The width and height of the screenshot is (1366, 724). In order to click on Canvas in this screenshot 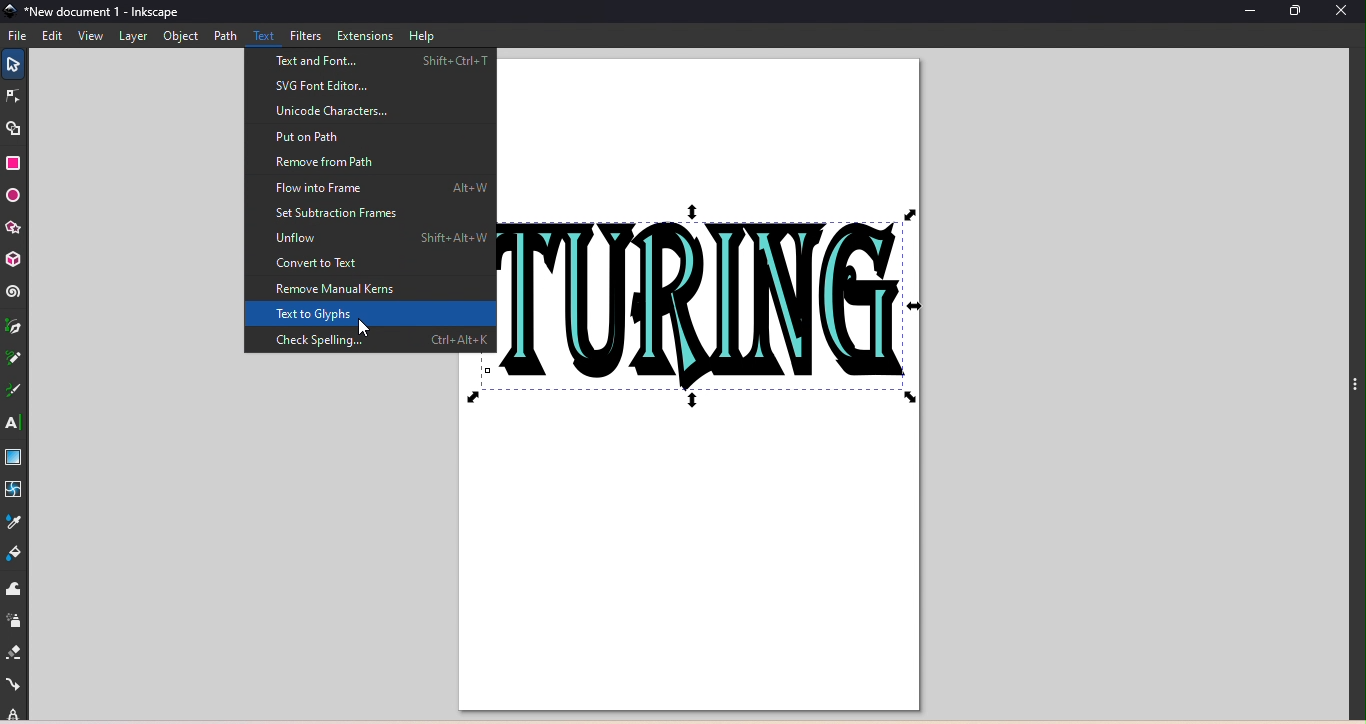, I will do `click(712, 388)`.